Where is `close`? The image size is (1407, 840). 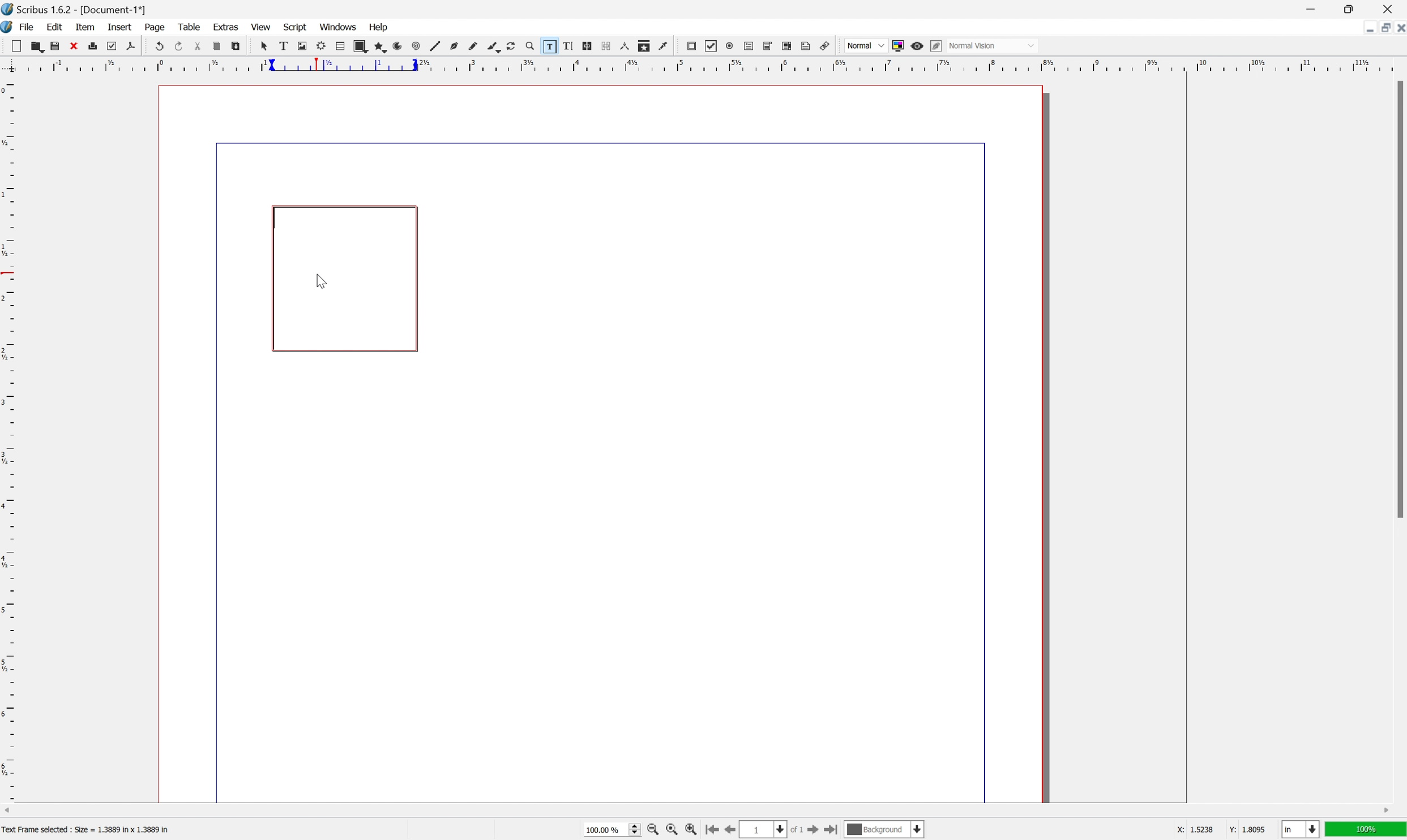
close is located at coordinates (1398, 29).